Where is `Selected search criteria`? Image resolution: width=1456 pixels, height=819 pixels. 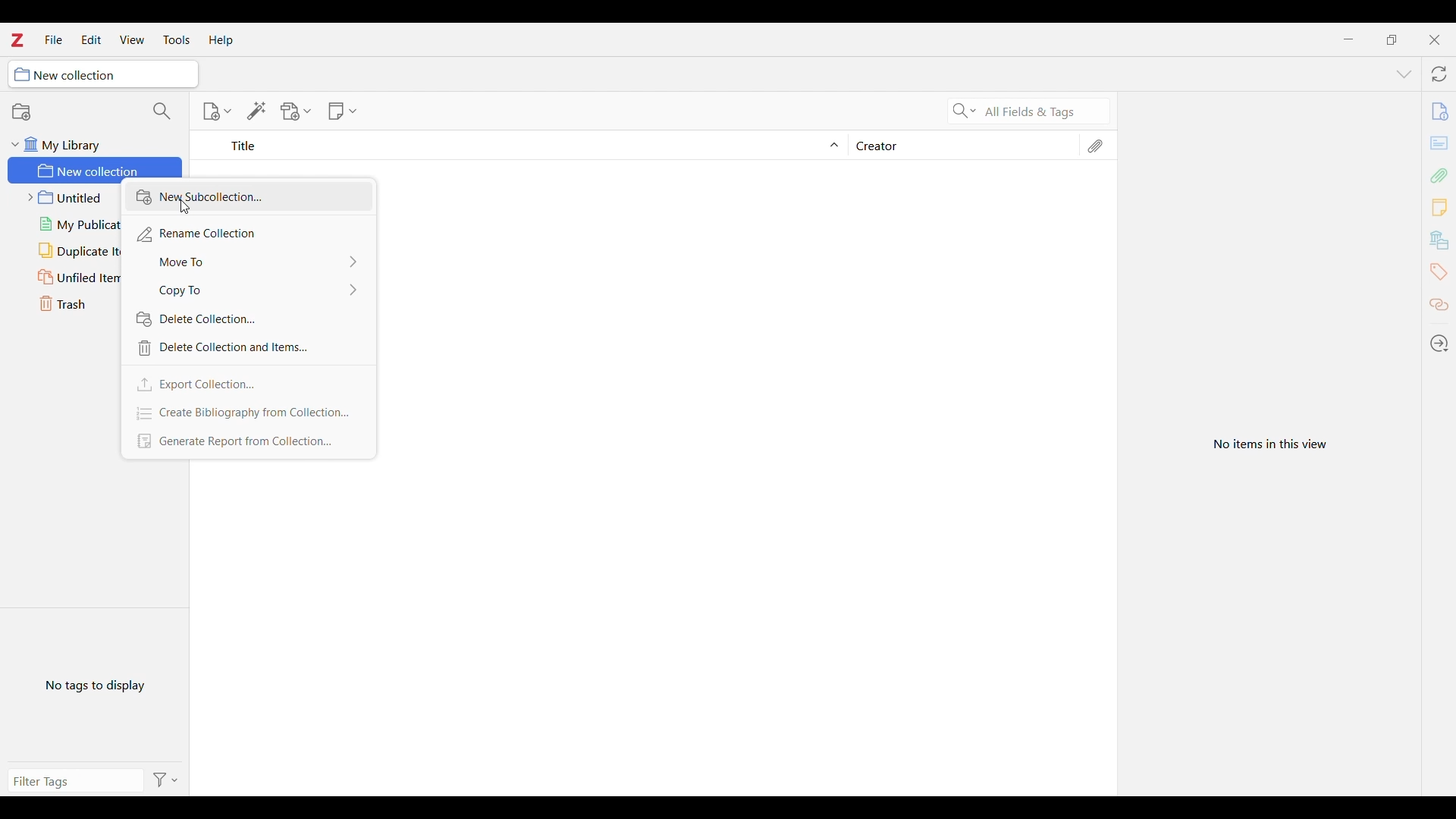 Selected search criteria is located at coordinates (1044, 111).